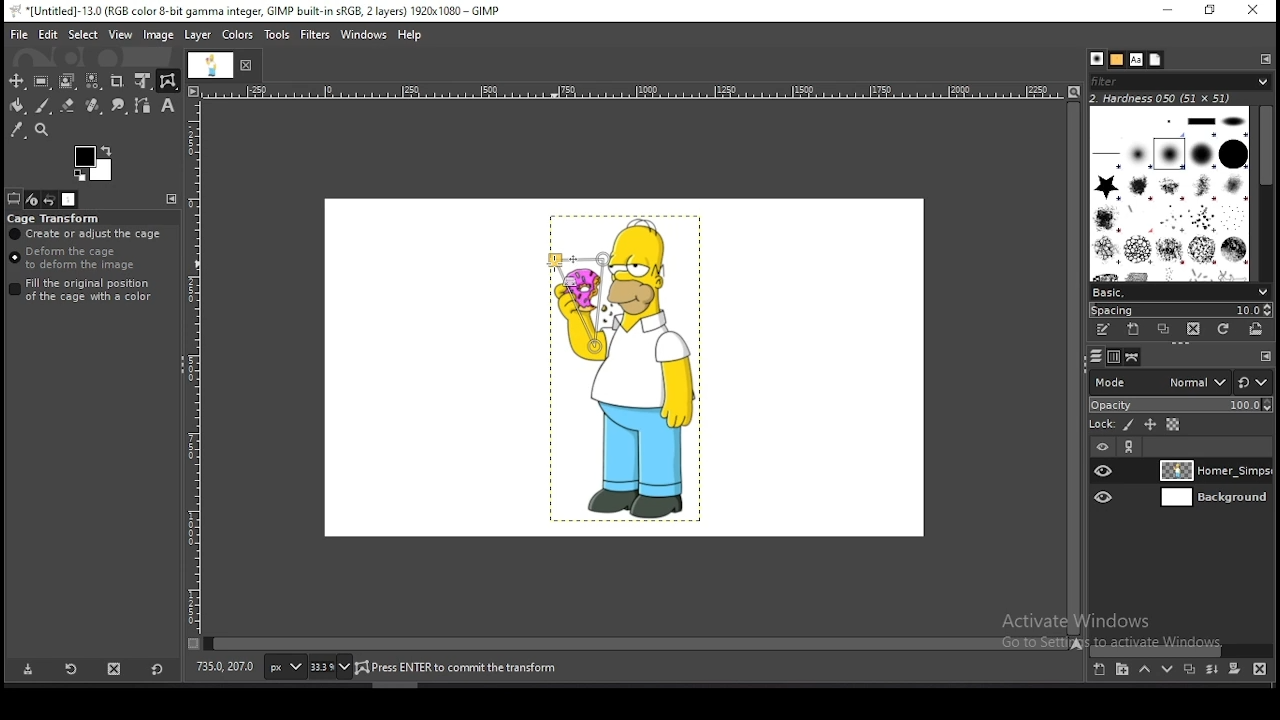 This screenshot has width=1280, height=720. I want to click on create a new layer, so click(1099, 670).